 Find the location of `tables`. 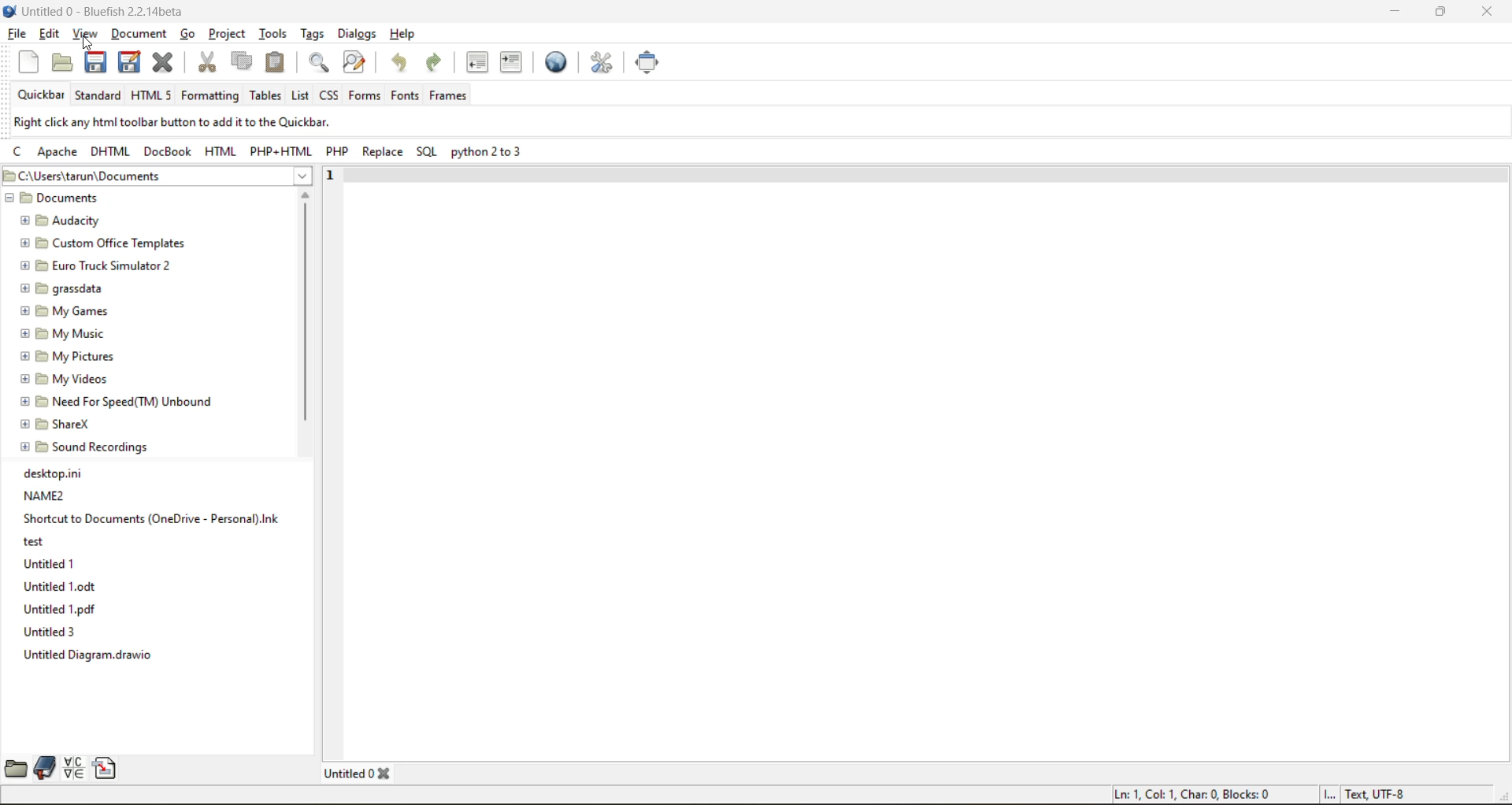

tables is located at coordinates (263, 95).